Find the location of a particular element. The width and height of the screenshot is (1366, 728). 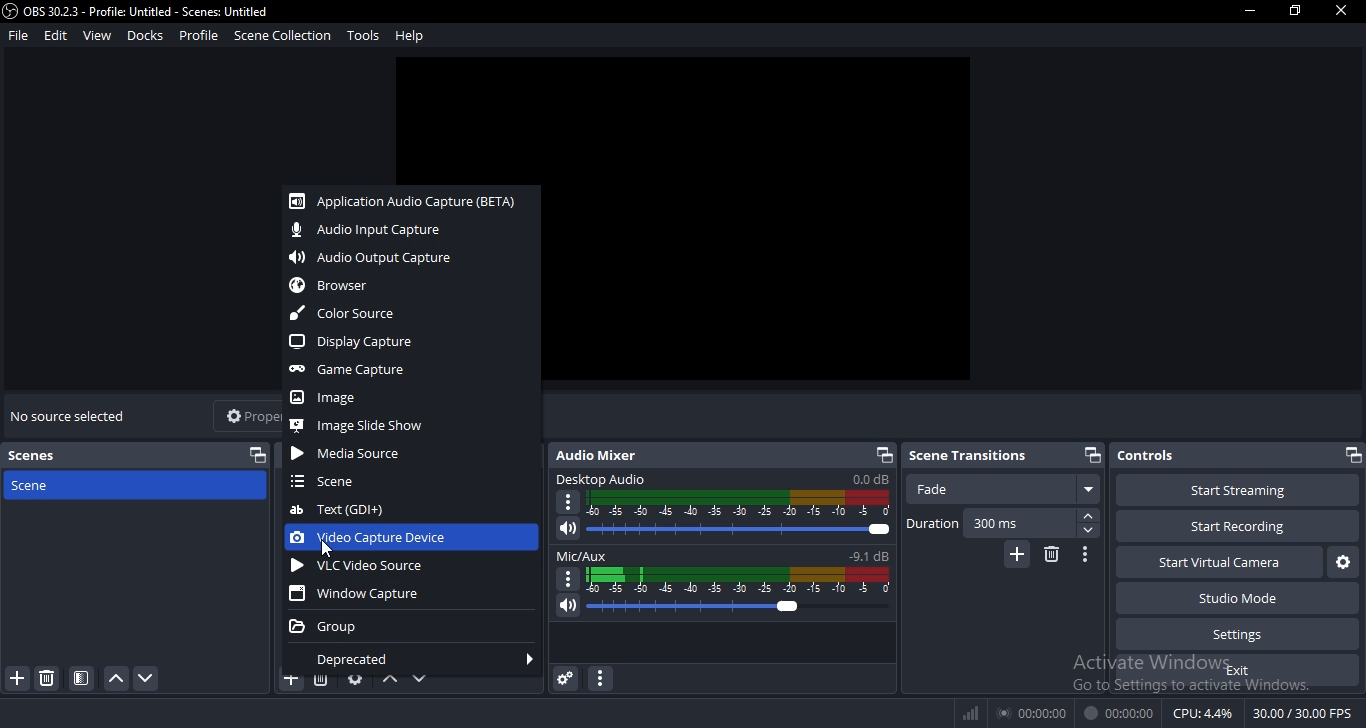

browser is located at coordinates (342, 284).